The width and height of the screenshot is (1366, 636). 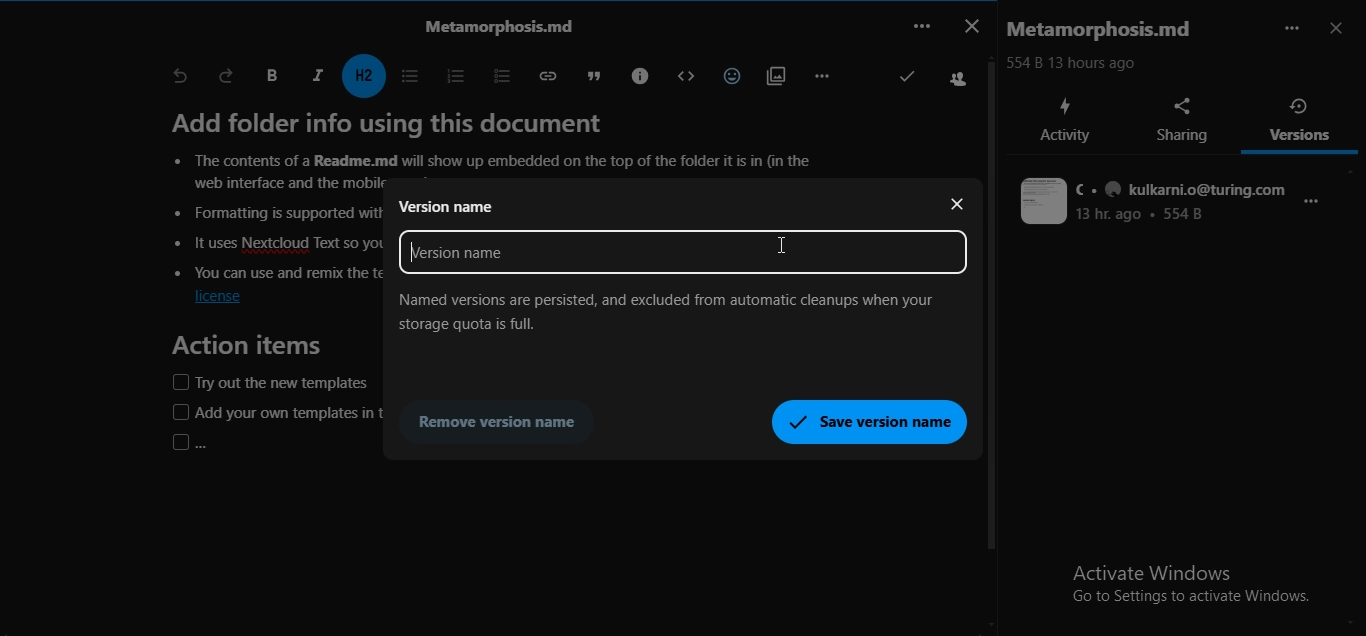 What do you see at coordinates (227, 75) in the screenshot?
I see `redo` at bounding box center [227, 75].